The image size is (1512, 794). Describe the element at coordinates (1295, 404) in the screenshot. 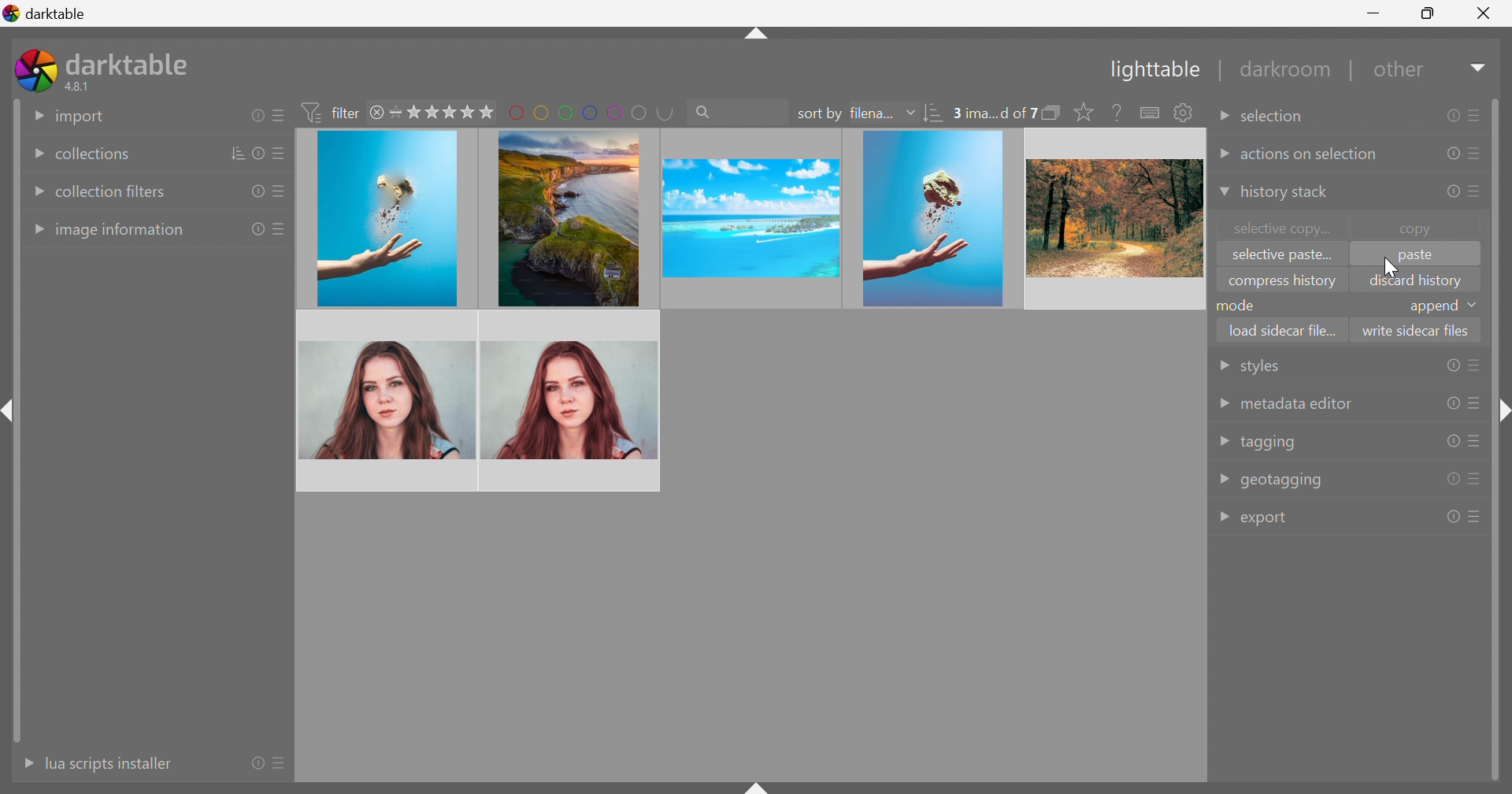

I see `metadata editor` at that location.